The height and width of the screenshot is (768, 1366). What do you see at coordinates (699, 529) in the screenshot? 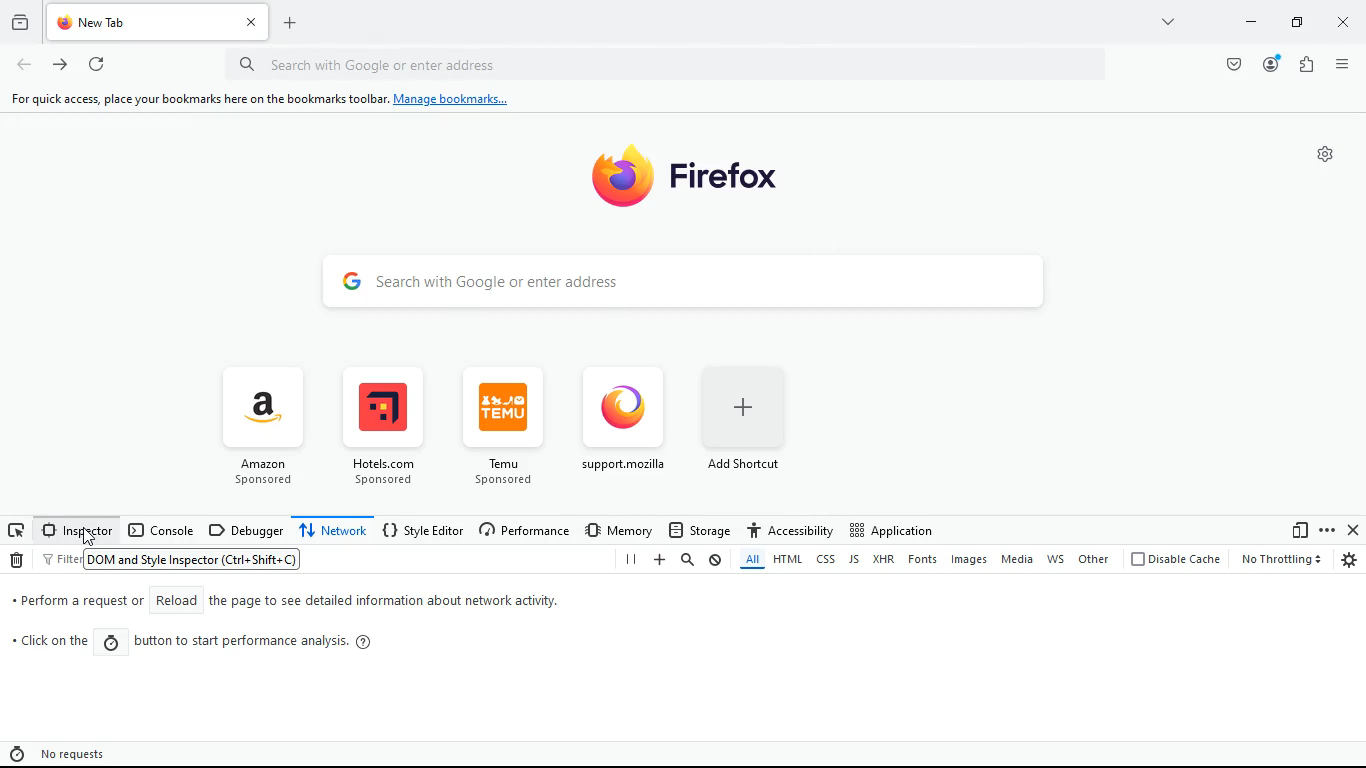
I see `storage` at bounding box center [699, 529].